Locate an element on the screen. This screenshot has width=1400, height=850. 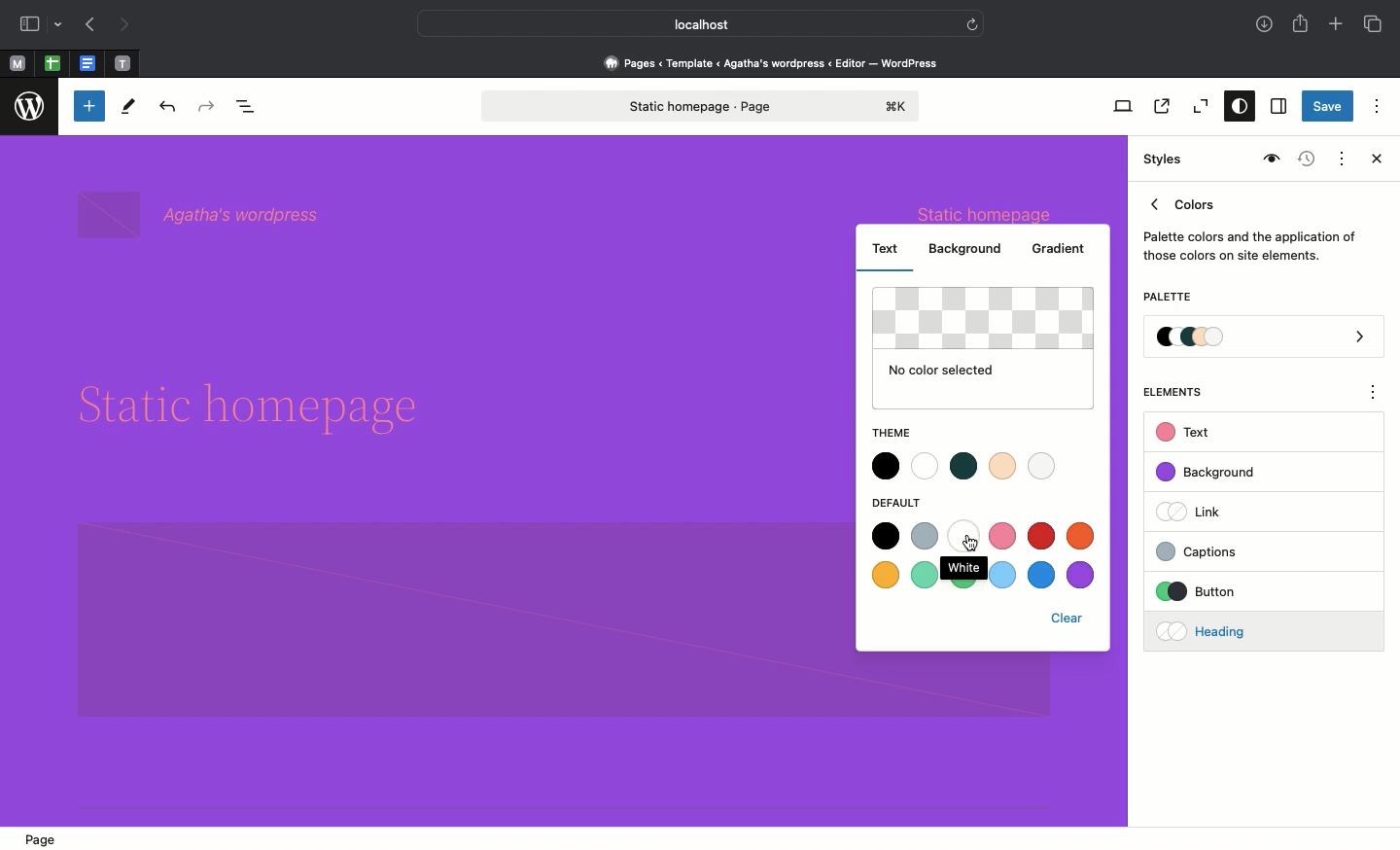
Redo is located at coordinates (209, 107).